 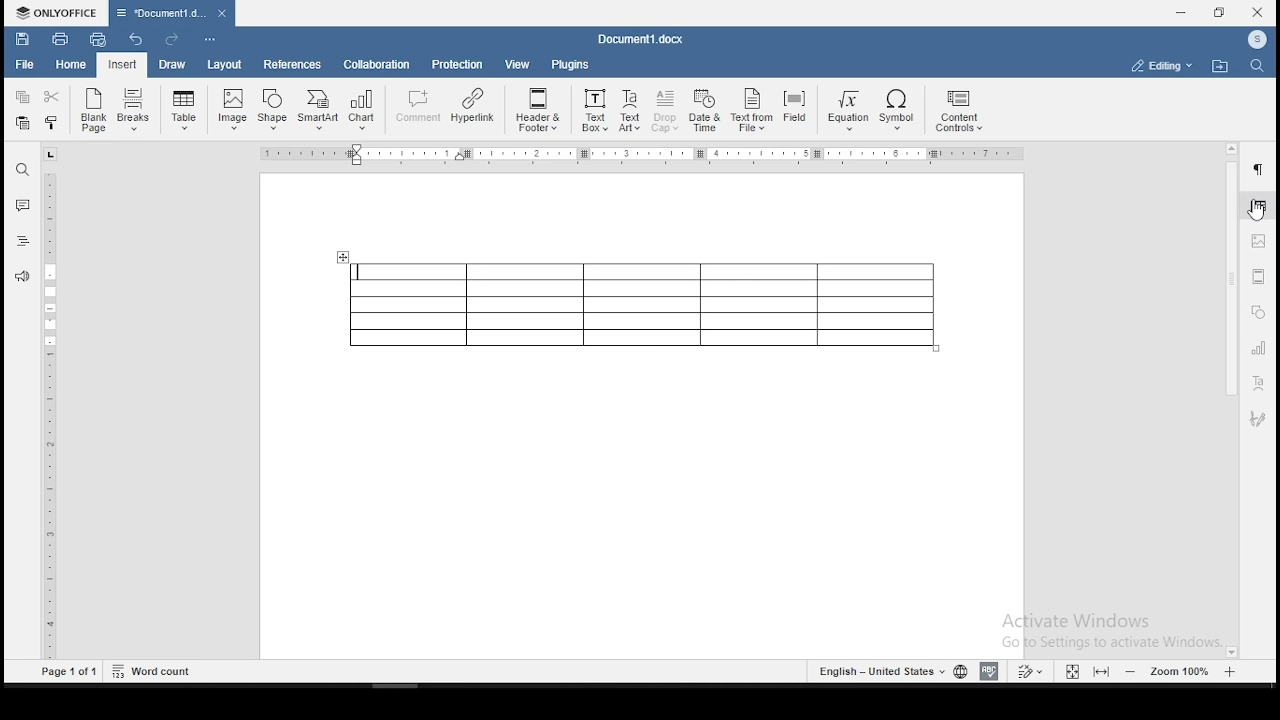 What do you see at coordinates (223, 65) in the screenshot?
I see `layout` at bounding box center [223, 65].